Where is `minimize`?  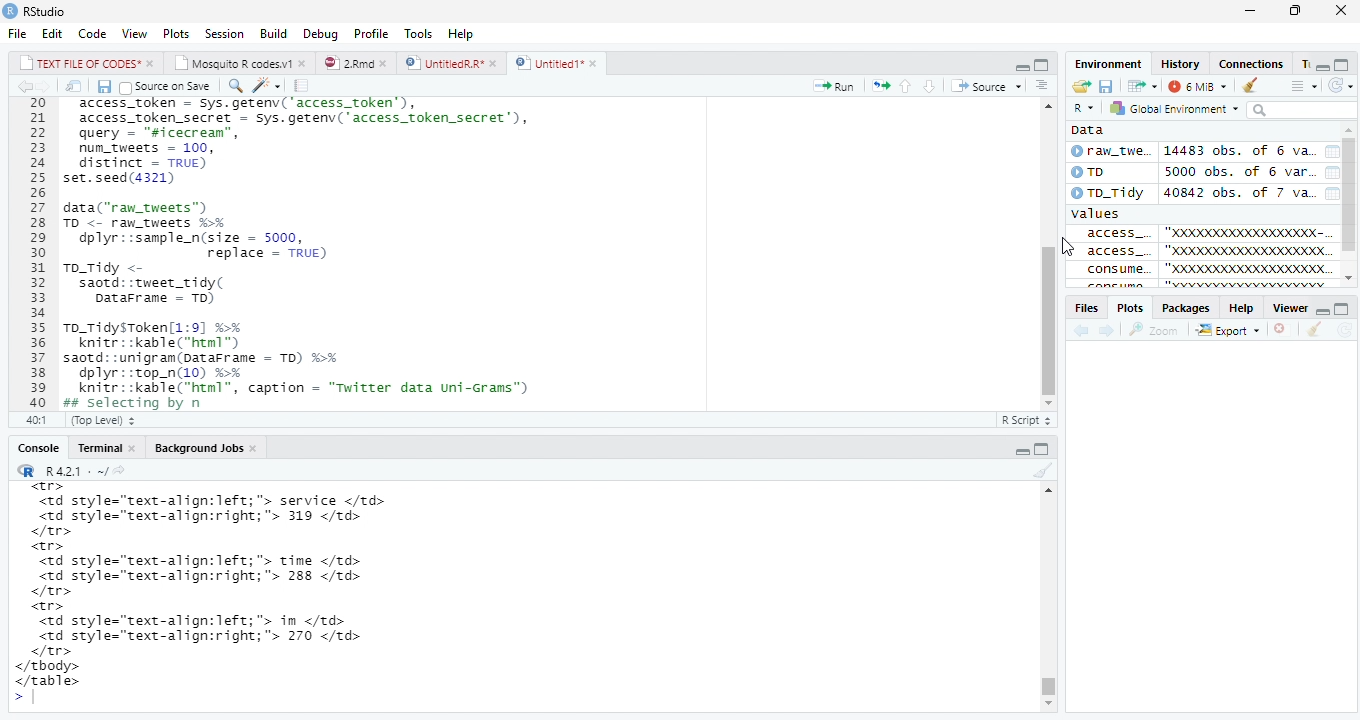
minimize is located at coordinates (1252, 11).